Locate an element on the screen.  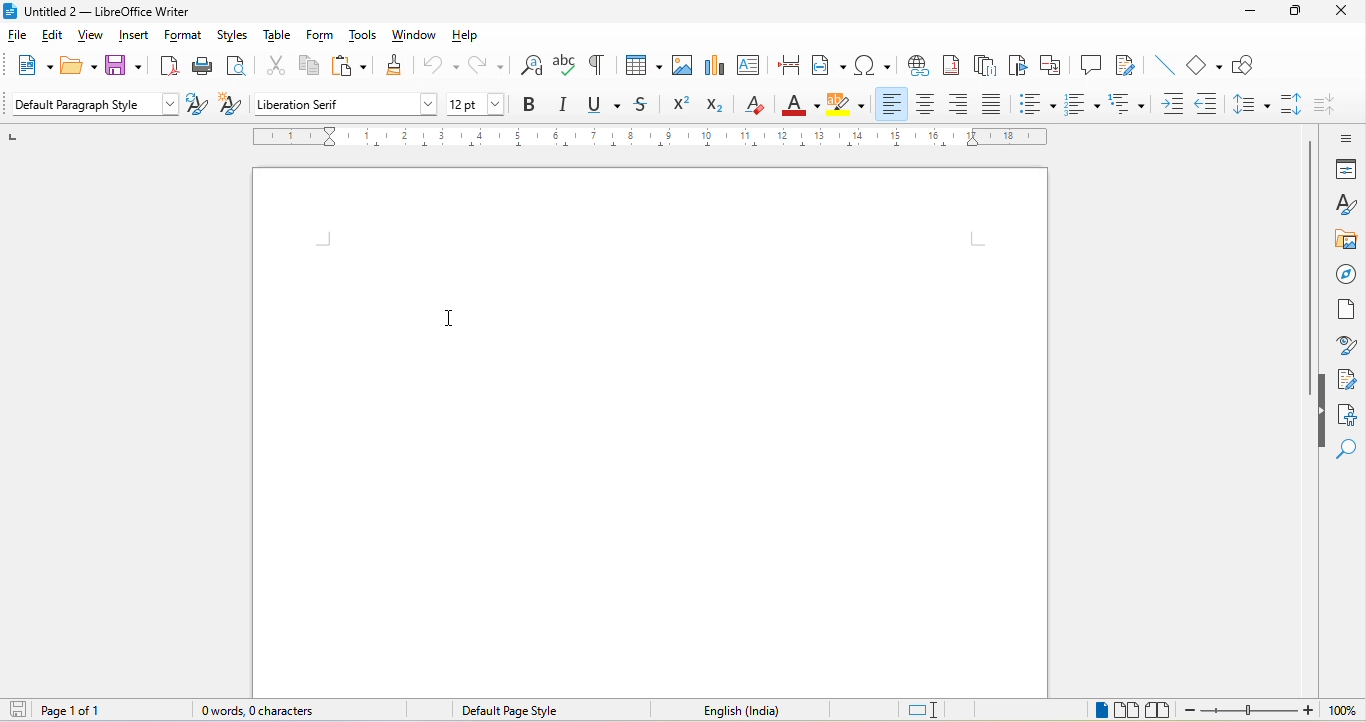
cut is located at coordinates (273, 69).